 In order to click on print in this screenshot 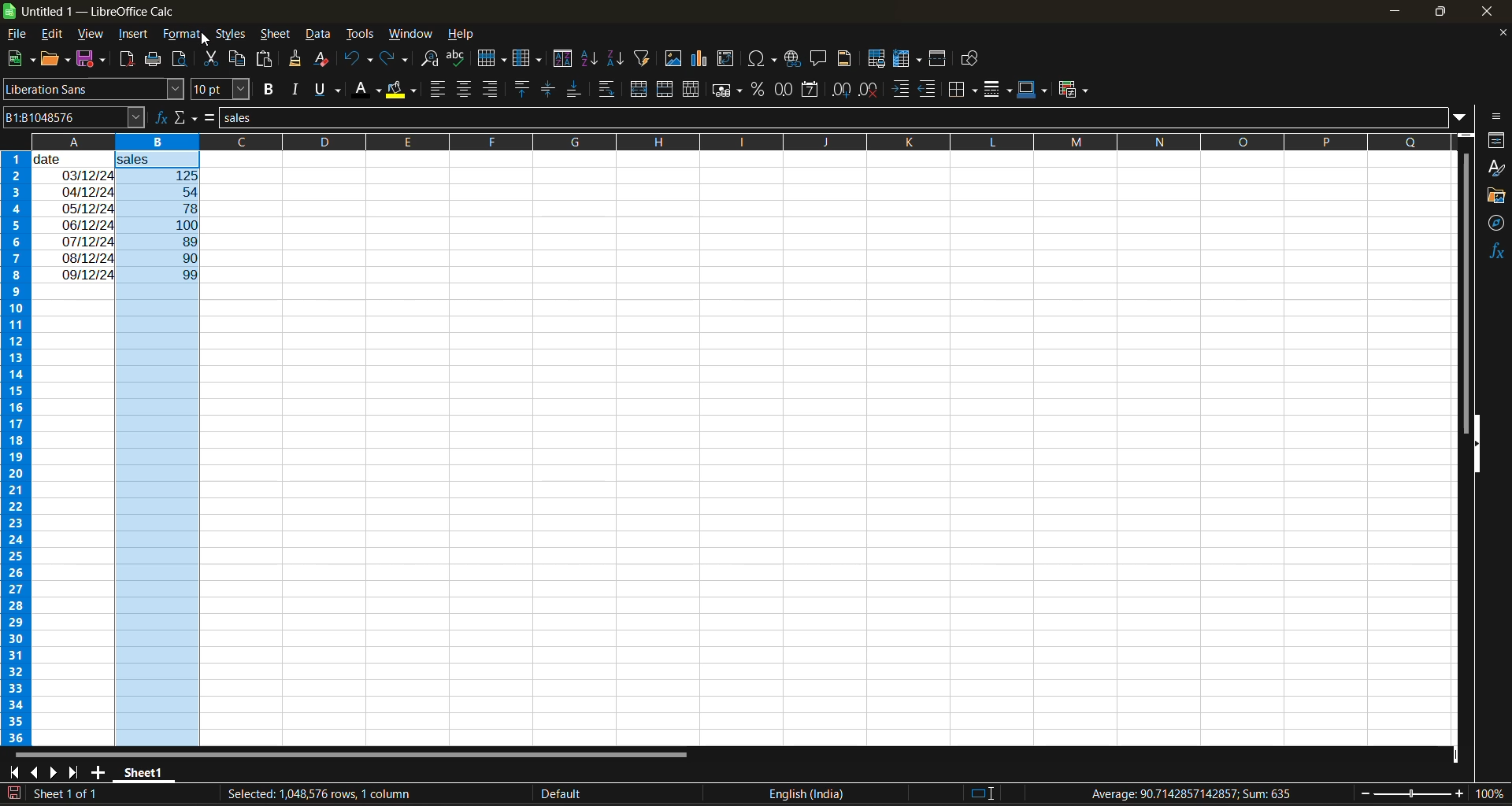, I will do `click(151, 60)`.